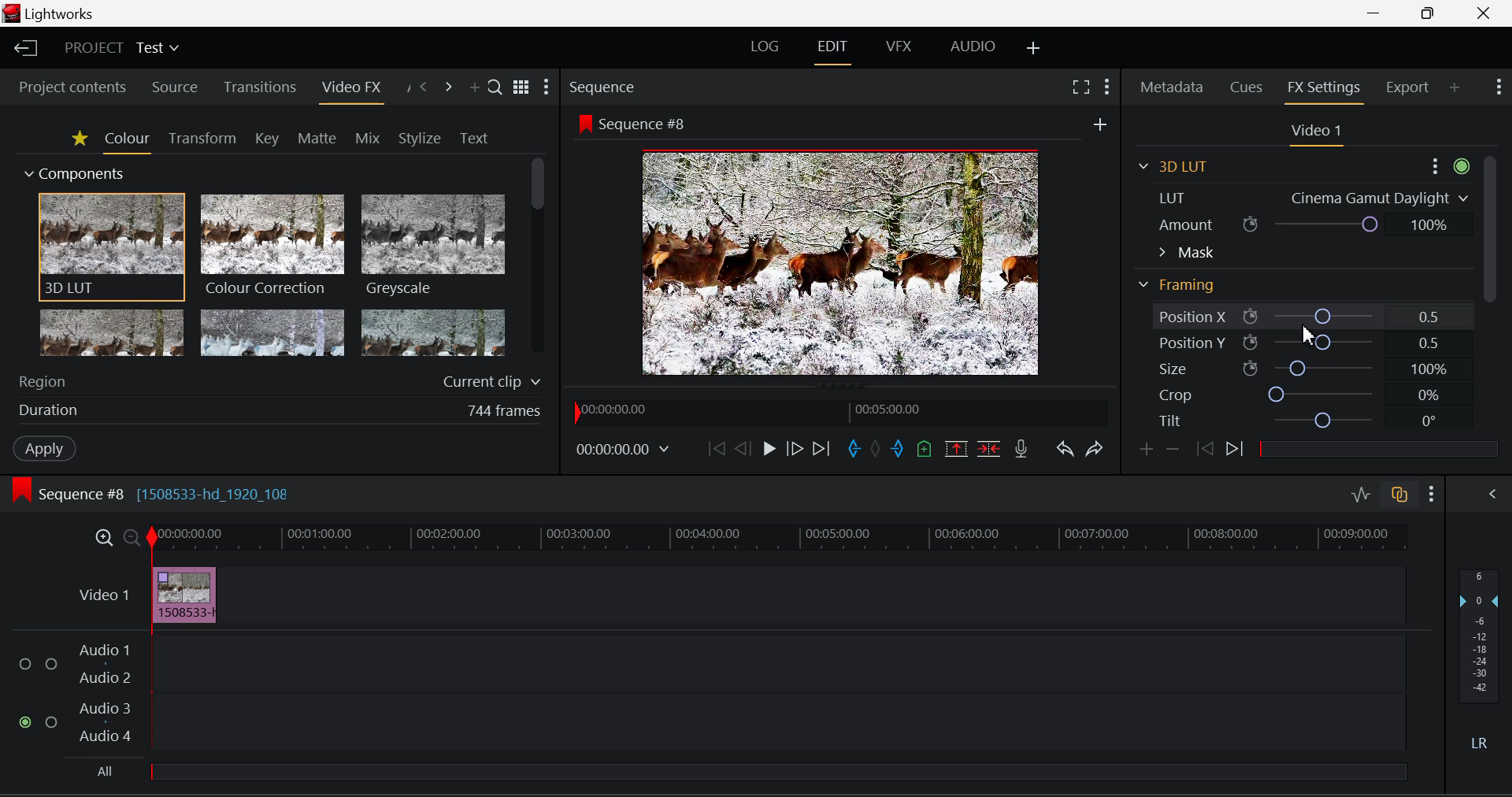  Describe the element at coordinates (1497, 87) in the screenshot. I see `Show Settings` at that location.